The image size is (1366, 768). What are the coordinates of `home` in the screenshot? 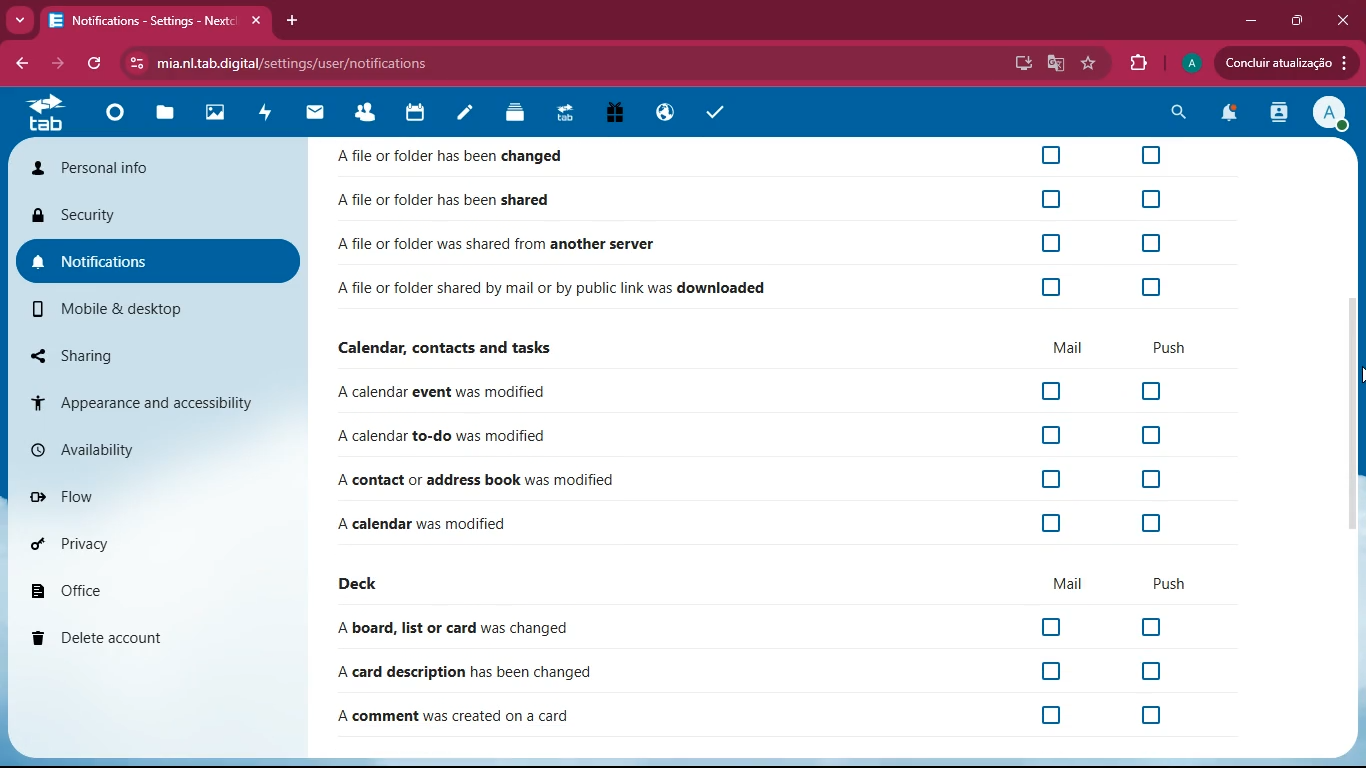 It's located at (118, 118).